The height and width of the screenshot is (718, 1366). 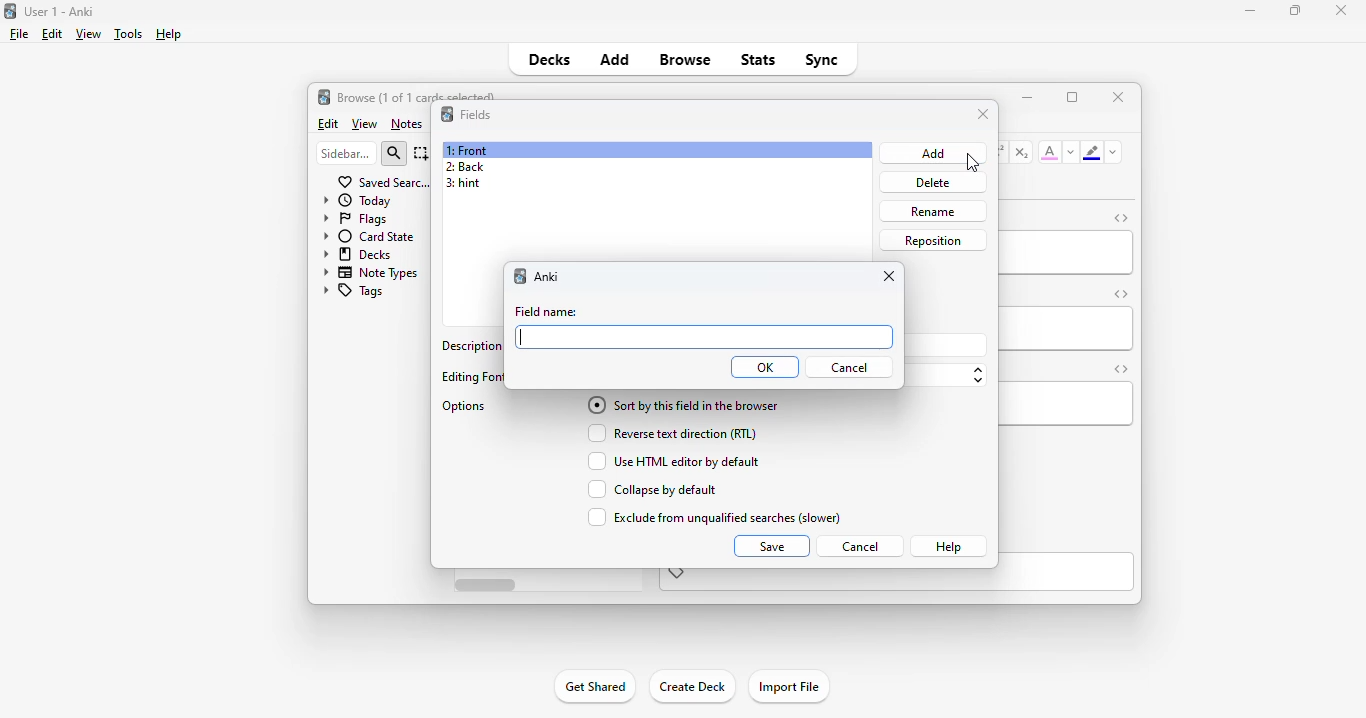 I want to click on help, so click(x=167, y=34).